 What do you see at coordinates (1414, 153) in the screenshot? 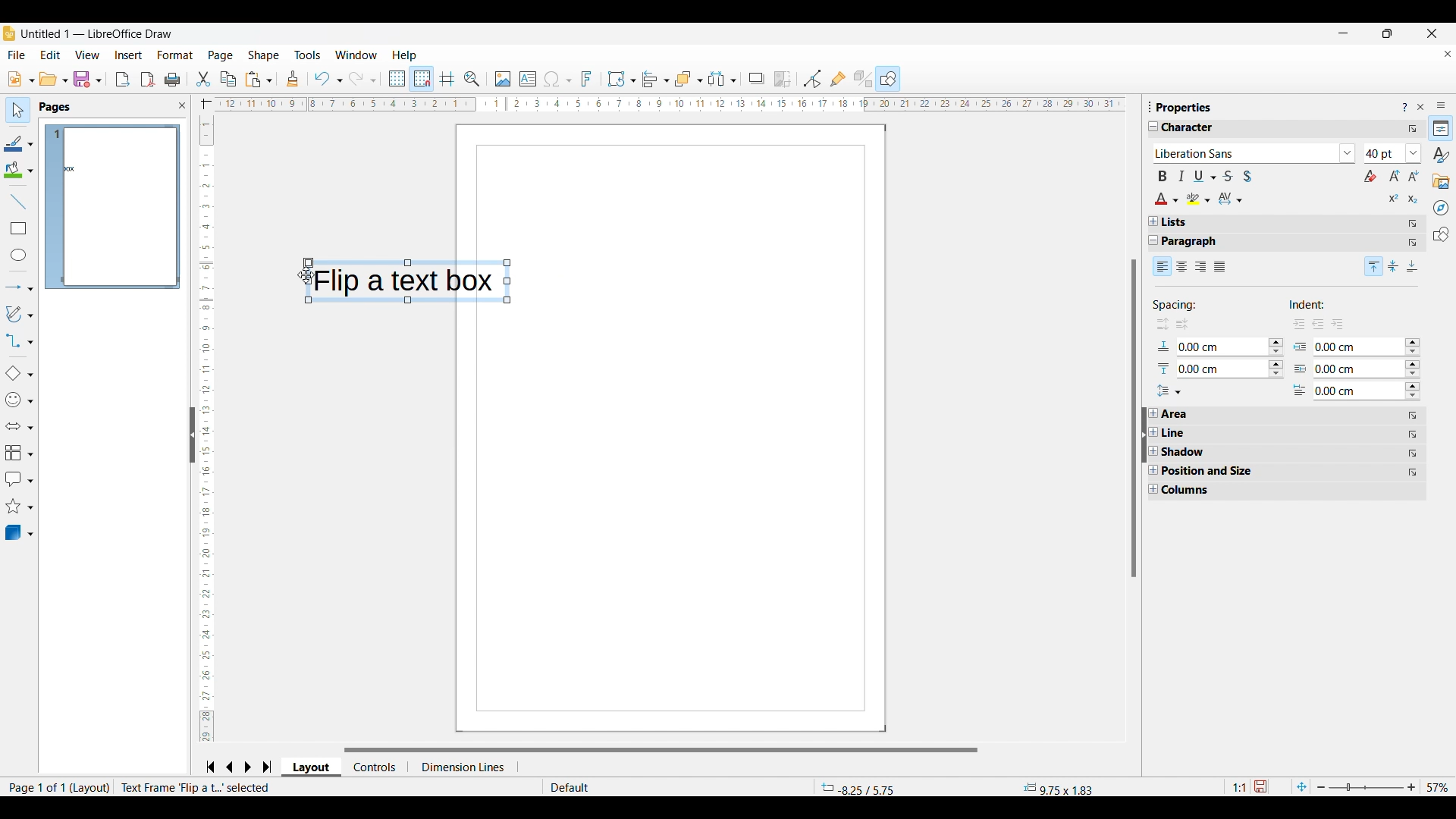
I see `List character size options` at bounding box center [1414, 153].